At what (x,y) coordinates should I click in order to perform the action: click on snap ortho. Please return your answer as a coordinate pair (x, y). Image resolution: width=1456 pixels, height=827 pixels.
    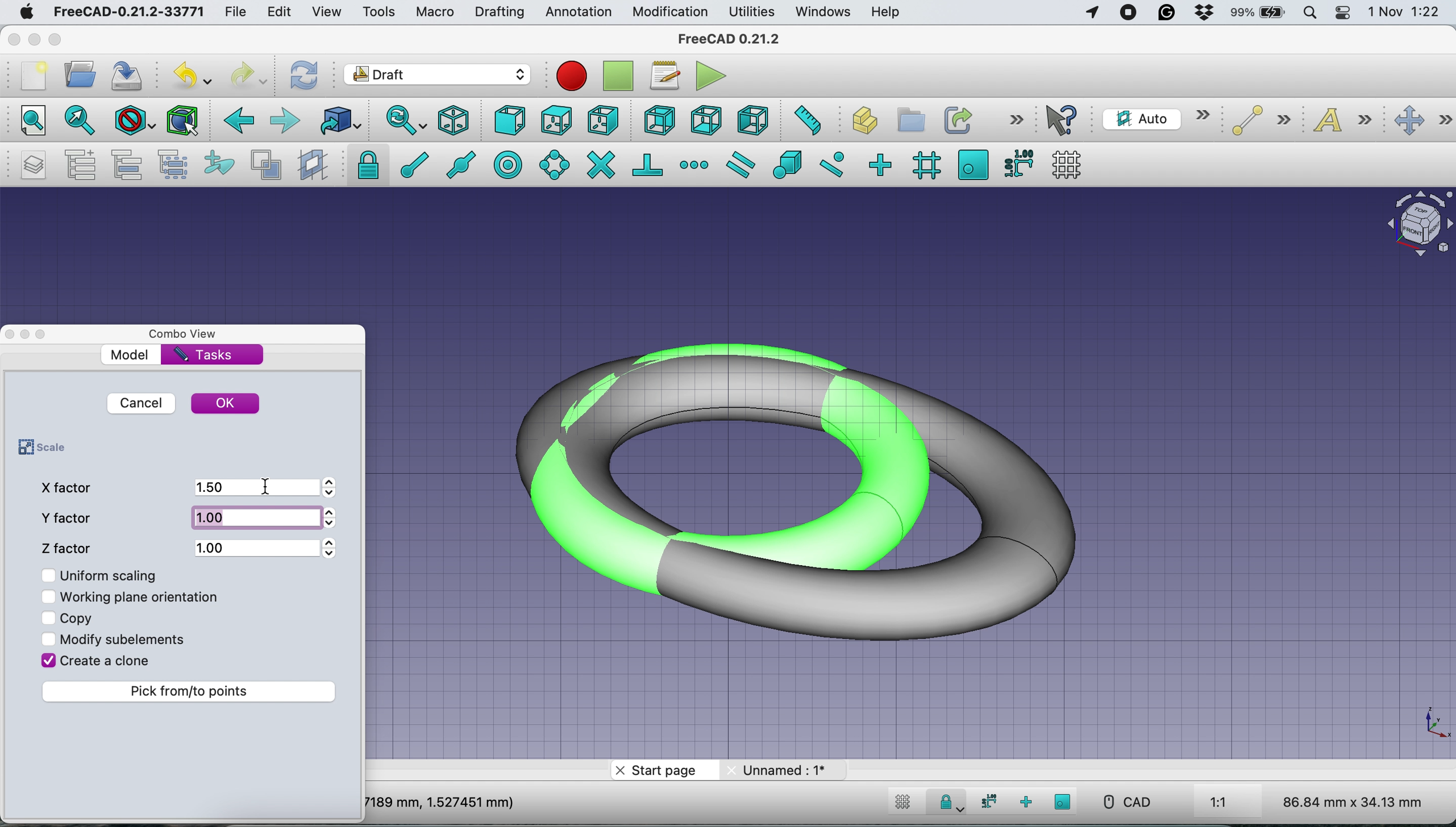
    Looking at the image, I should click on (1024, 801).